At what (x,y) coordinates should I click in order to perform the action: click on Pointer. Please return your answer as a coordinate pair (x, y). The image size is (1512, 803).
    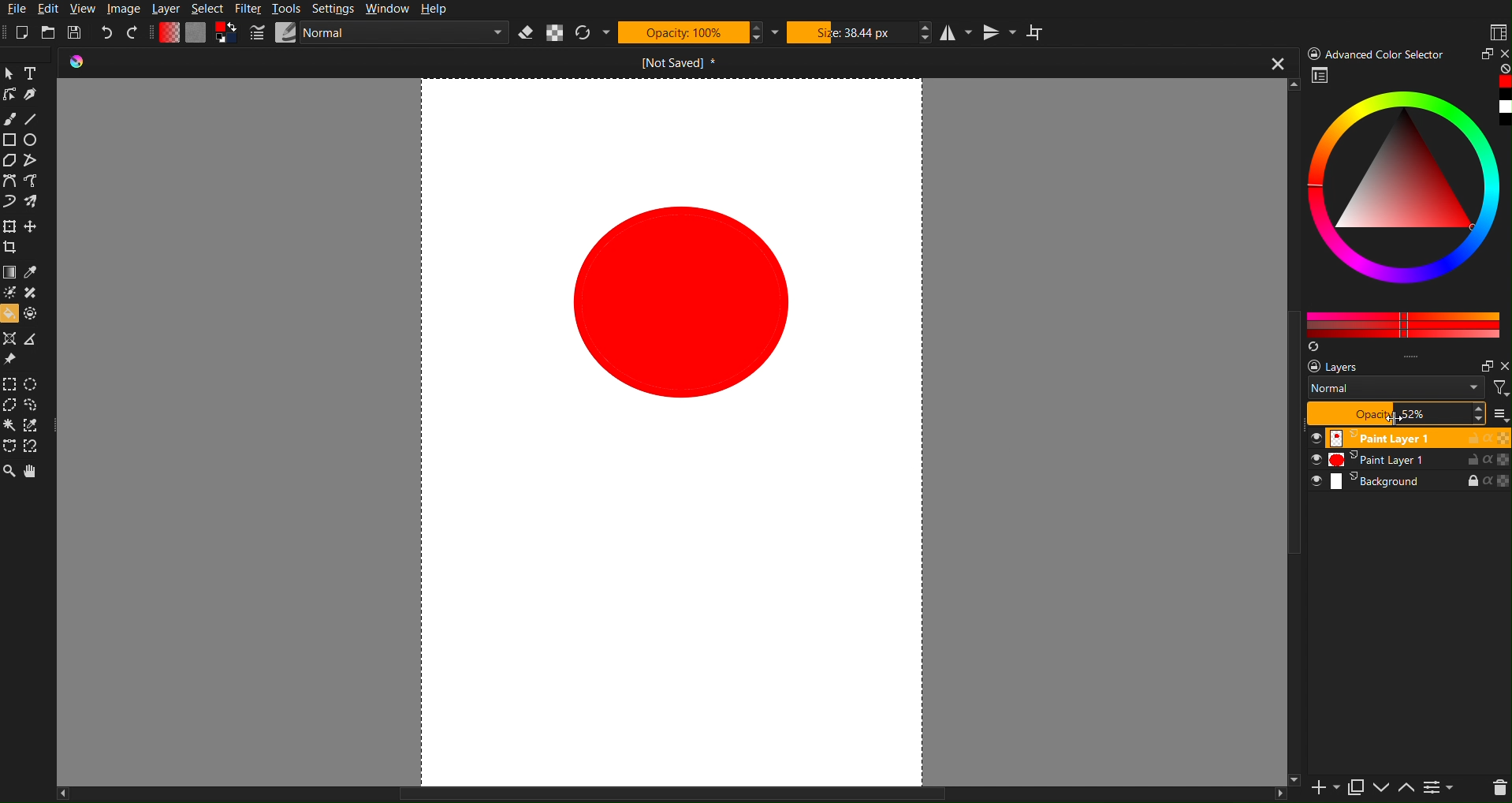
    Looking at the image, I should click on (10, 73).